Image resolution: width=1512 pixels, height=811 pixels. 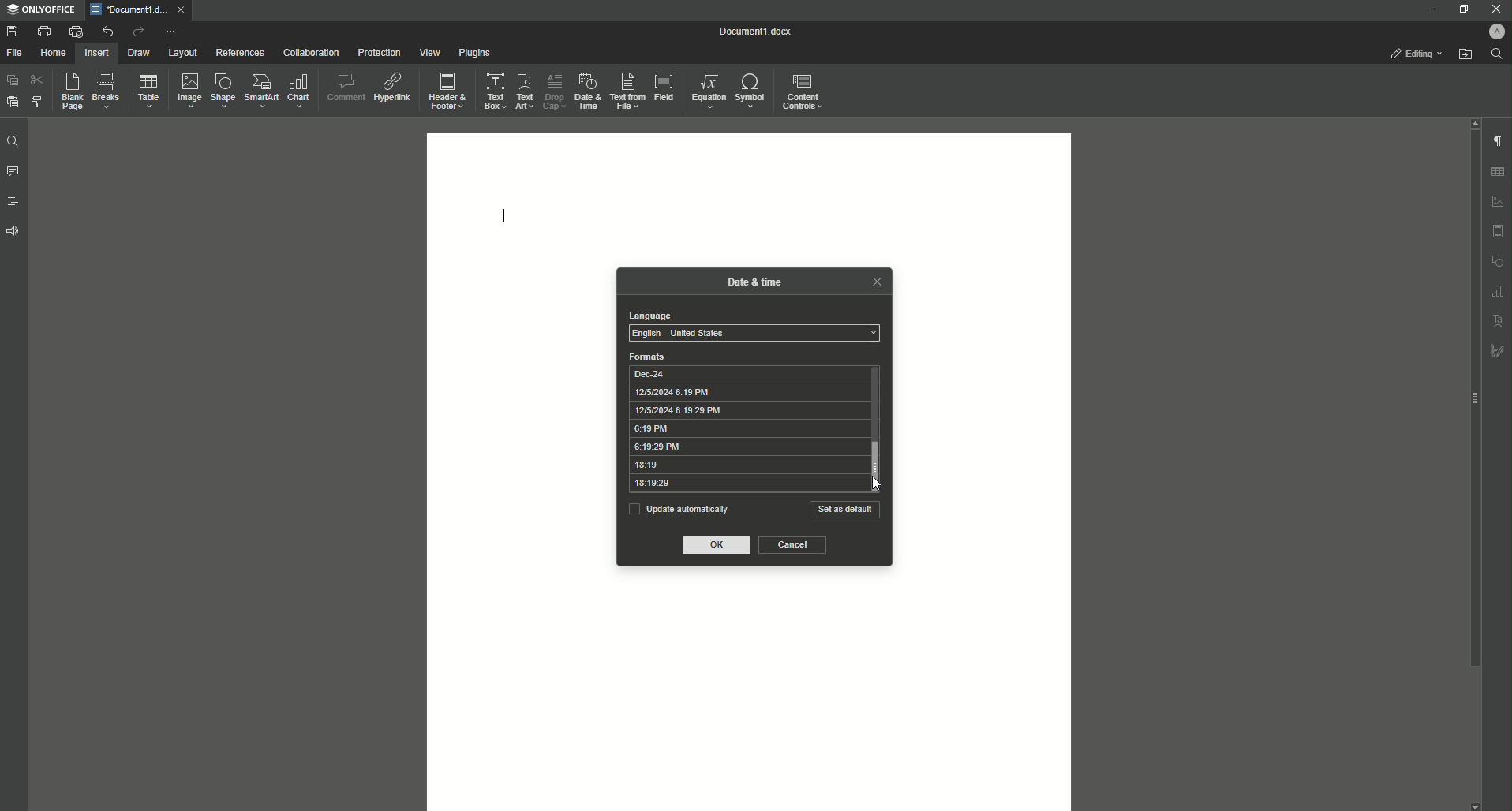 What do you see at coordinates (37, 102) in the screenshot?
I see `Choose Style` at bounding box center [37, 102].